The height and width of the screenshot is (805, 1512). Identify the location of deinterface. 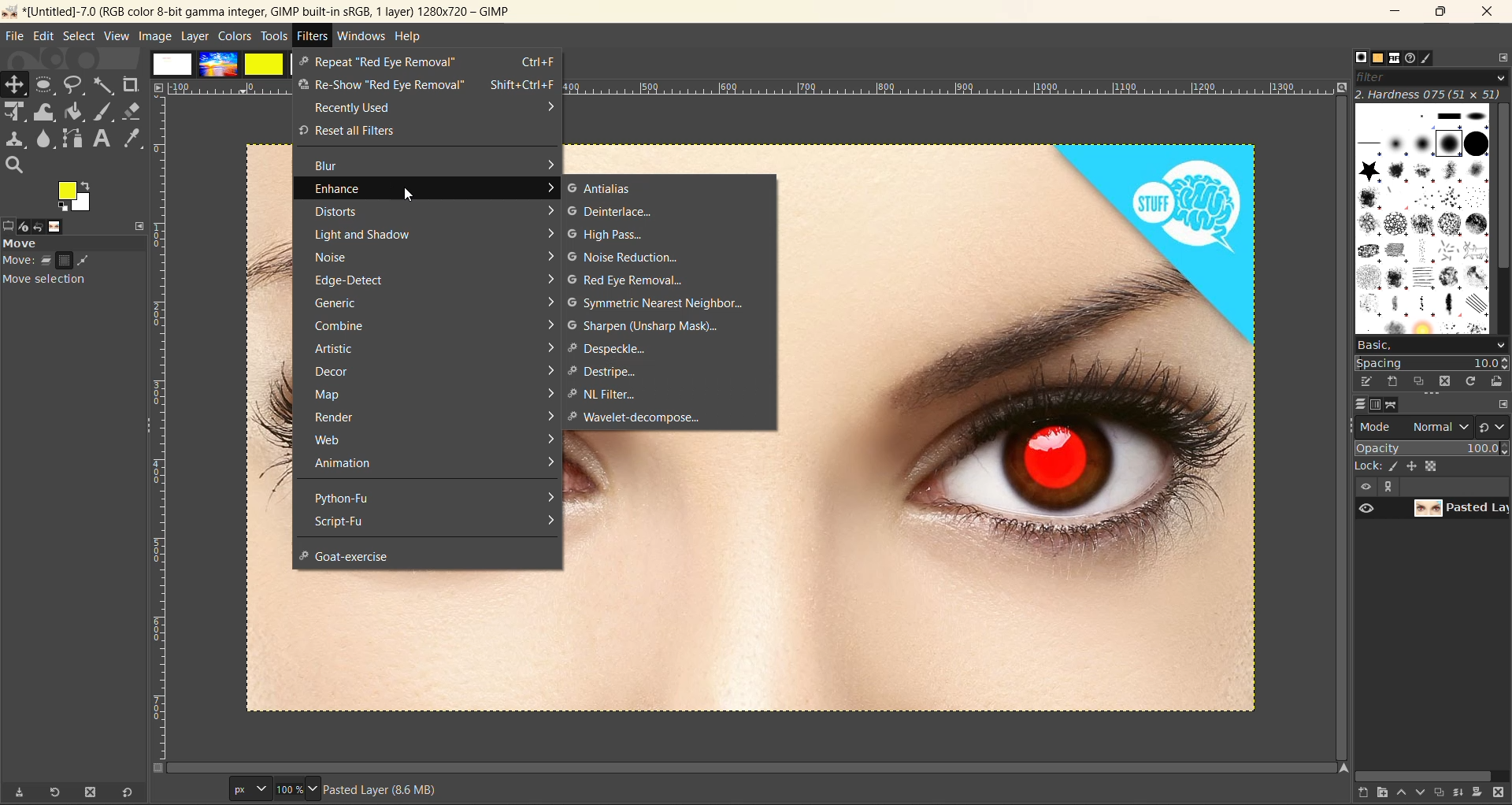
(614, 212).